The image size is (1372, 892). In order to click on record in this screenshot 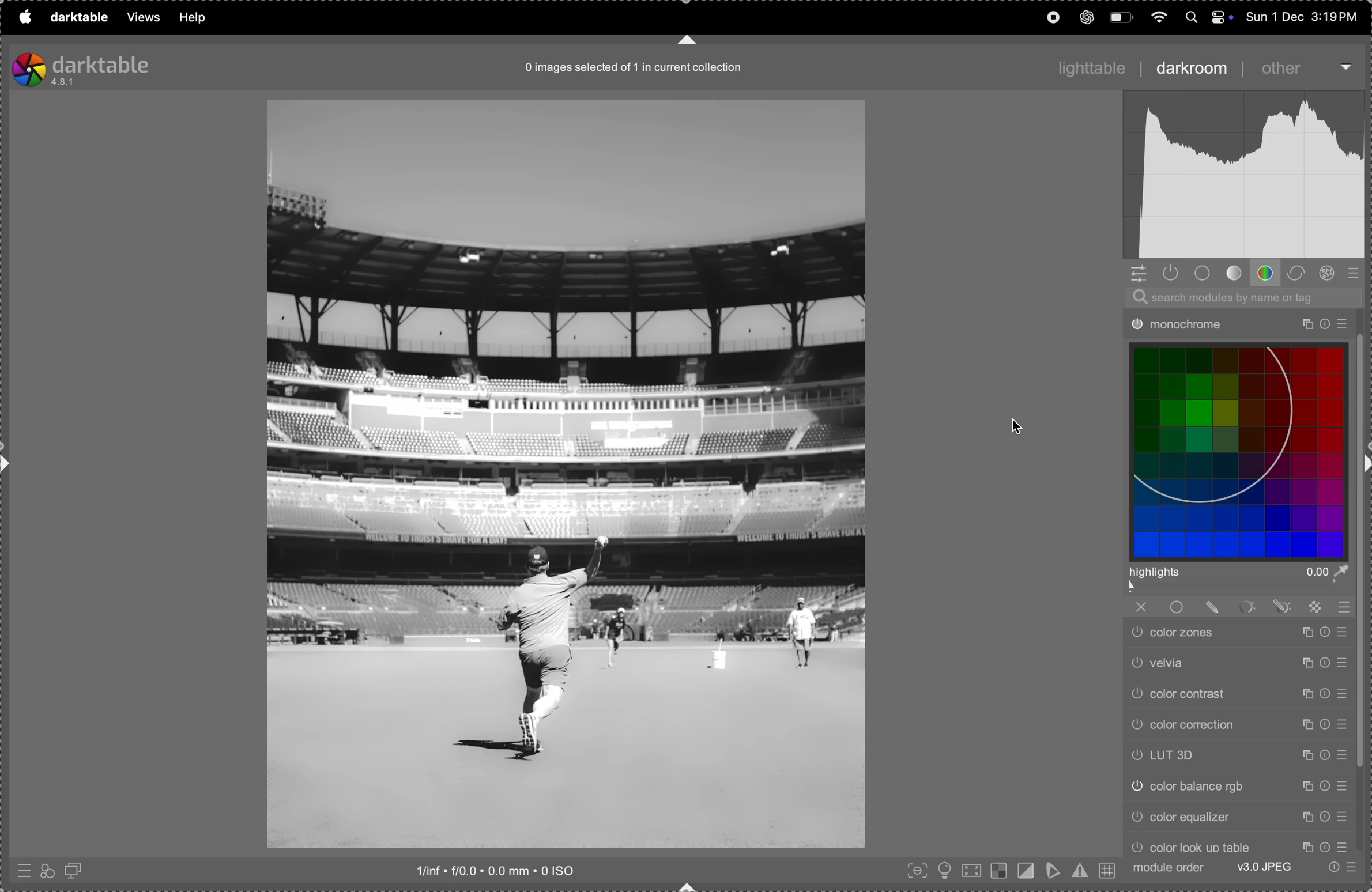, I will do `click(1051, 16)`.